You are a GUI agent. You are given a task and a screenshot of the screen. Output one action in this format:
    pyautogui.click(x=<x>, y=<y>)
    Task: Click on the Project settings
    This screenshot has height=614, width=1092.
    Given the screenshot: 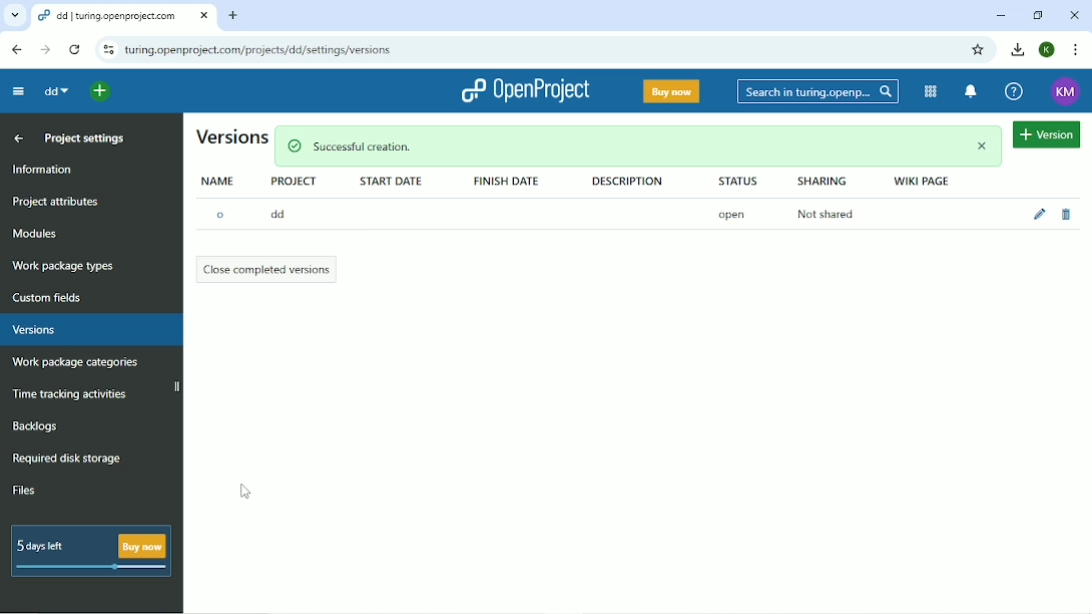 What is the action you would take?
    pyautogui.click(x=84, y=137)
    